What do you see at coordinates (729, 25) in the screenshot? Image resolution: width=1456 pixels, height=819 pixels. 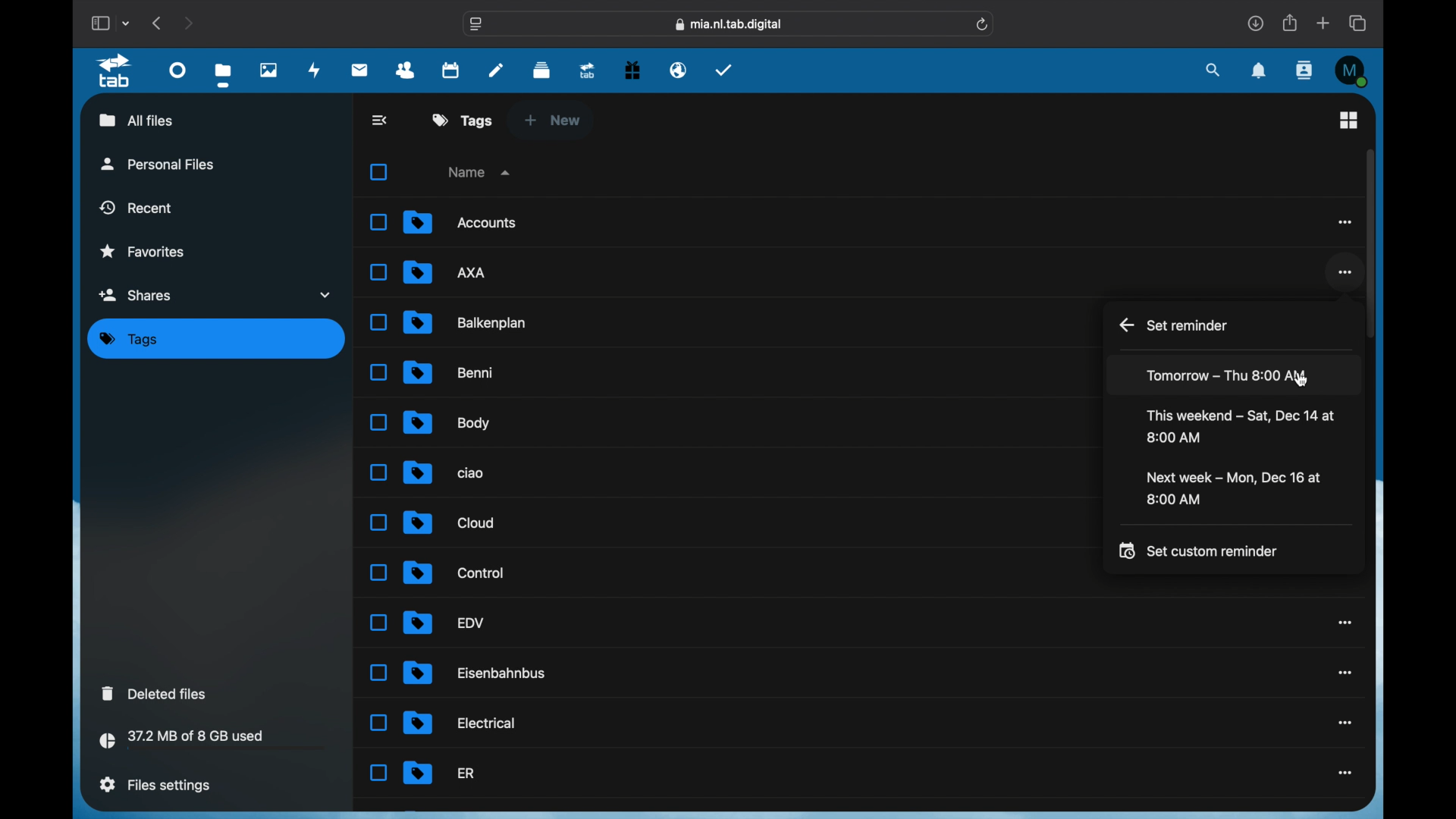 I see `web address` at bounding box center [729, 25].